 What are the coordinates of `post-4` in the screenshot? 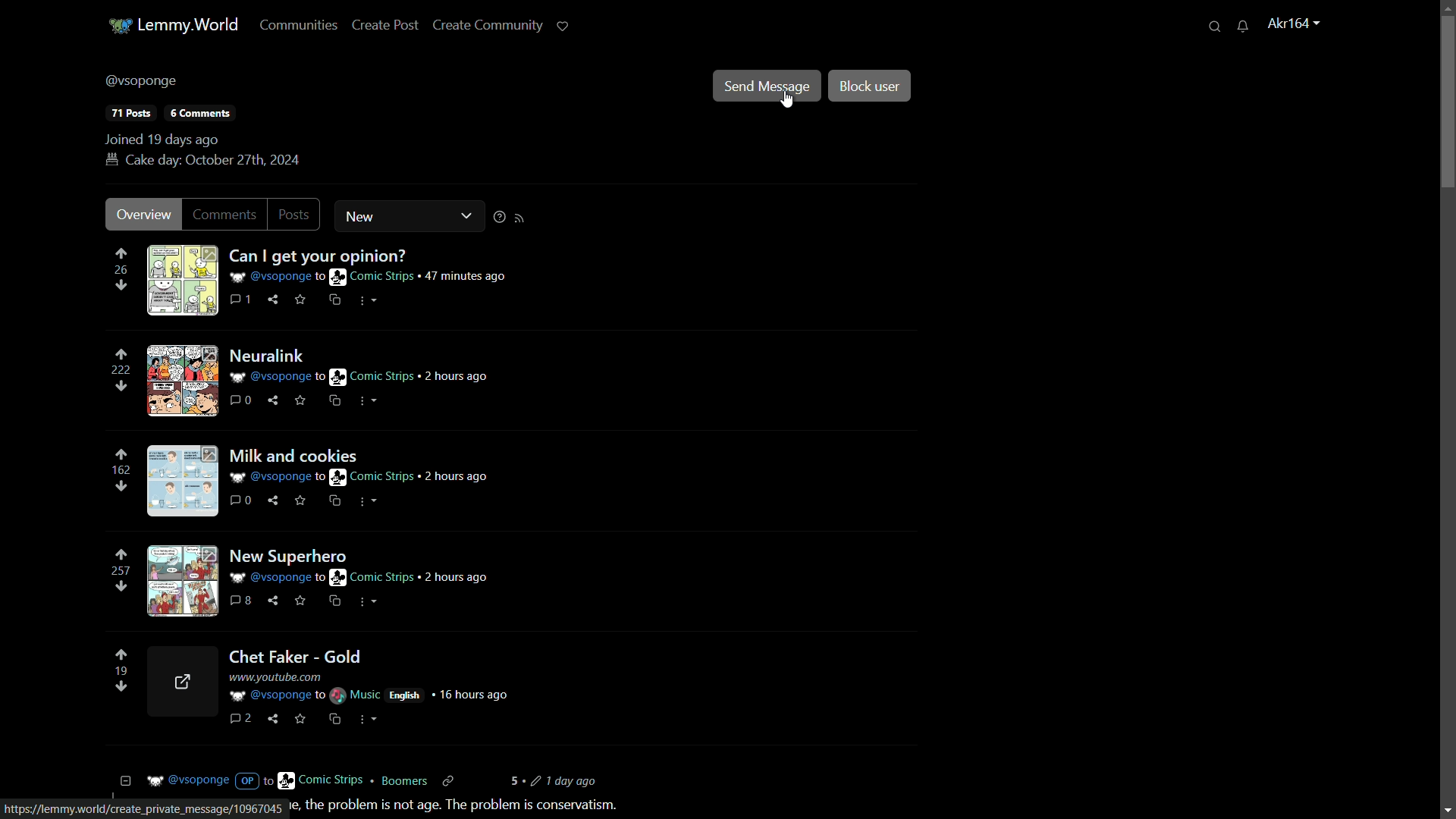 It's located at (293, 554).